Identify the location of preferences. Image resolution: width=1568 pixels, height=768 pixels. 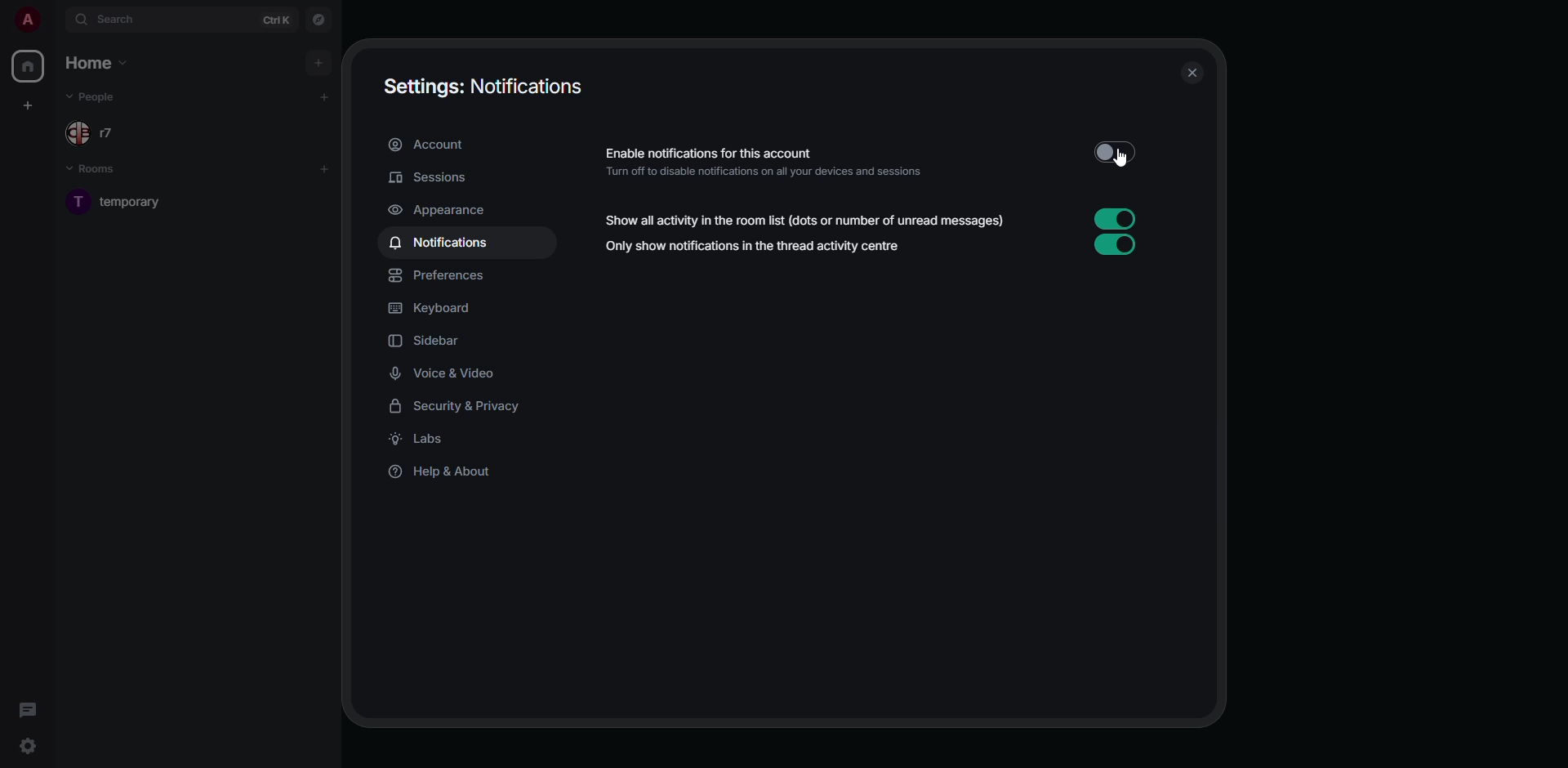
(441, 275).